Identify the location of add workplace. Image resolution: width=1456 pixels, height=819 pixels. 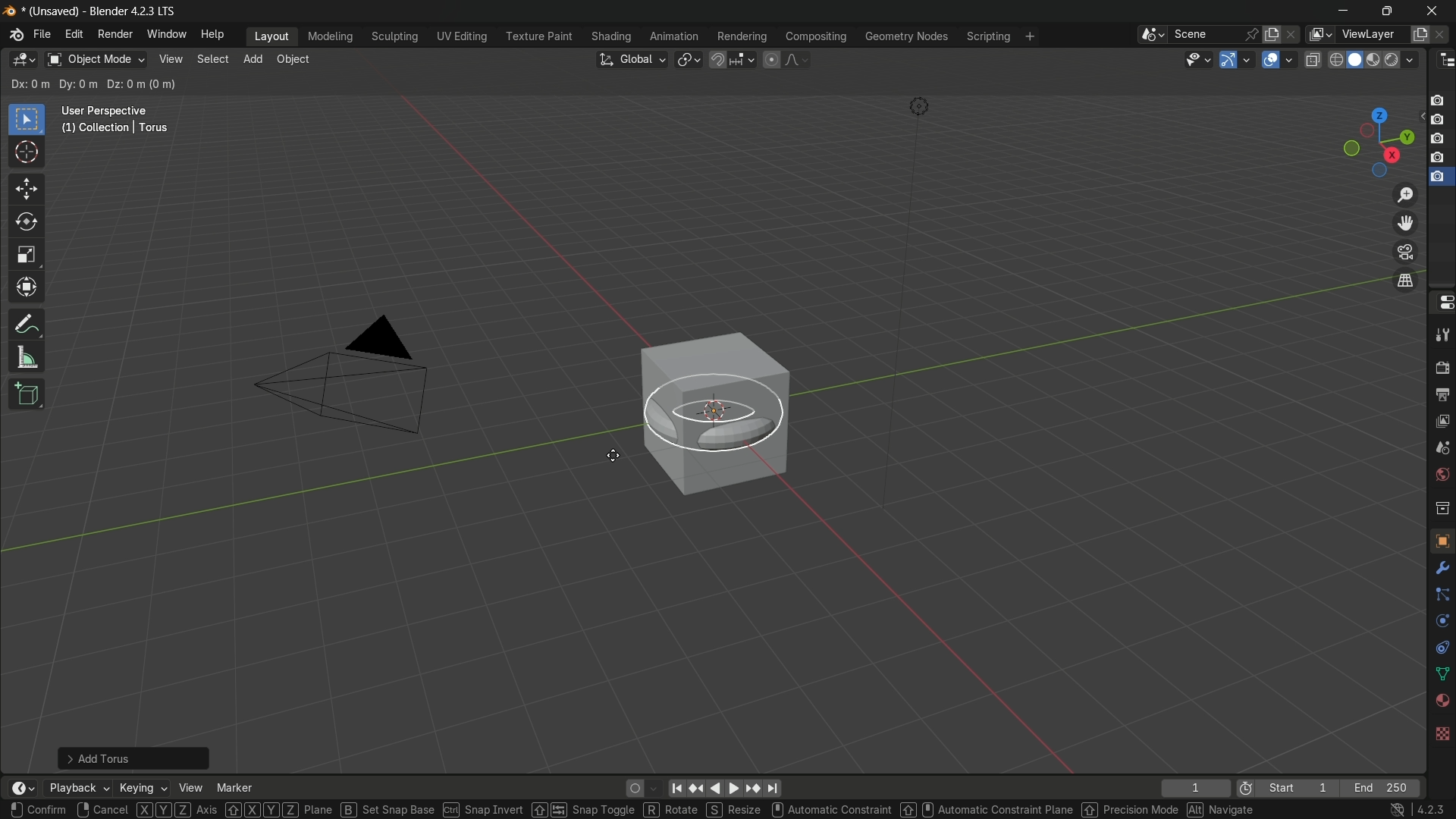
(1030, 36).